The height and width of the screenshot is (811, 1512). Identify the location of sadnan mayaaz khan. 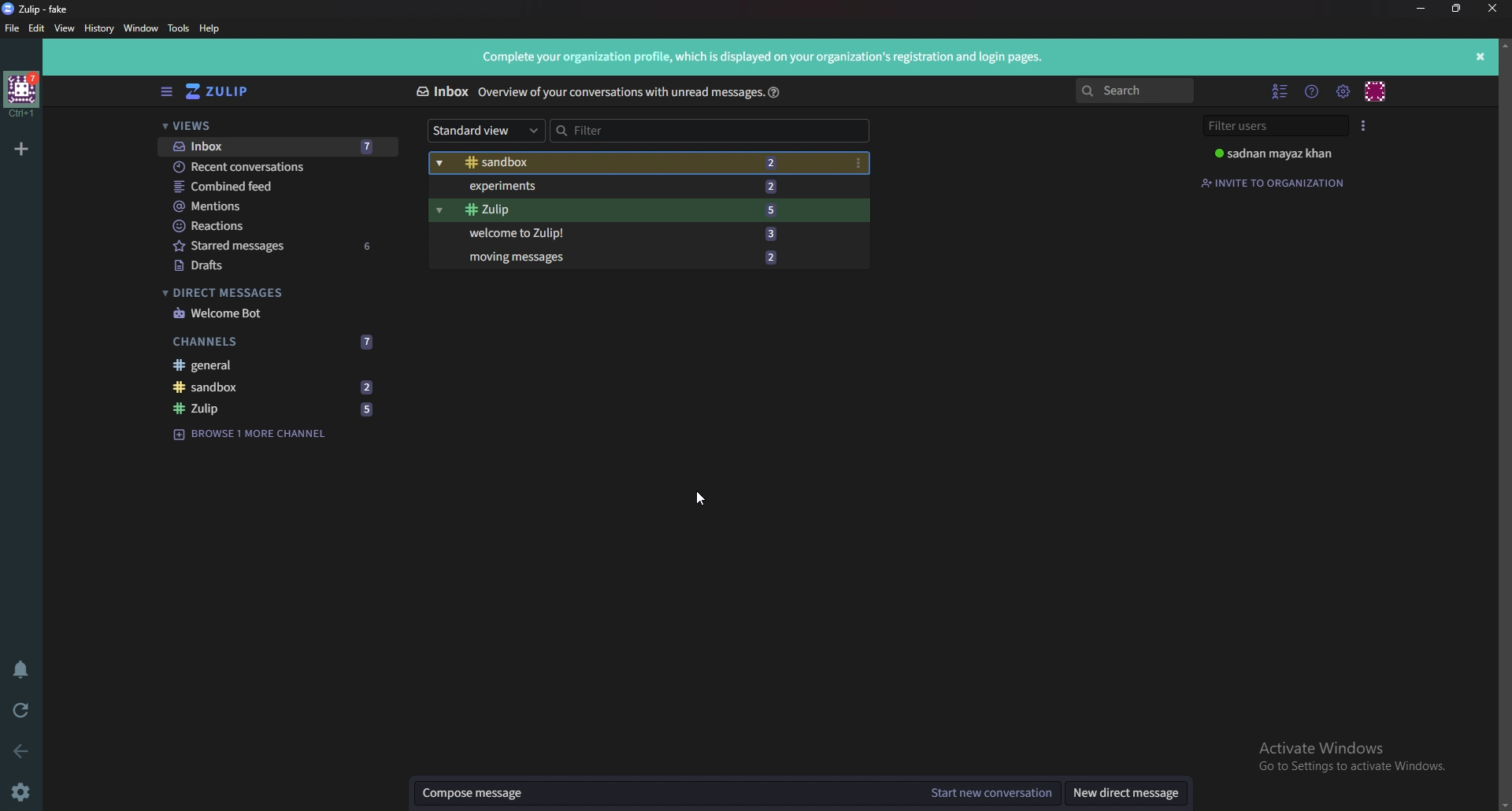
(1286, 153).